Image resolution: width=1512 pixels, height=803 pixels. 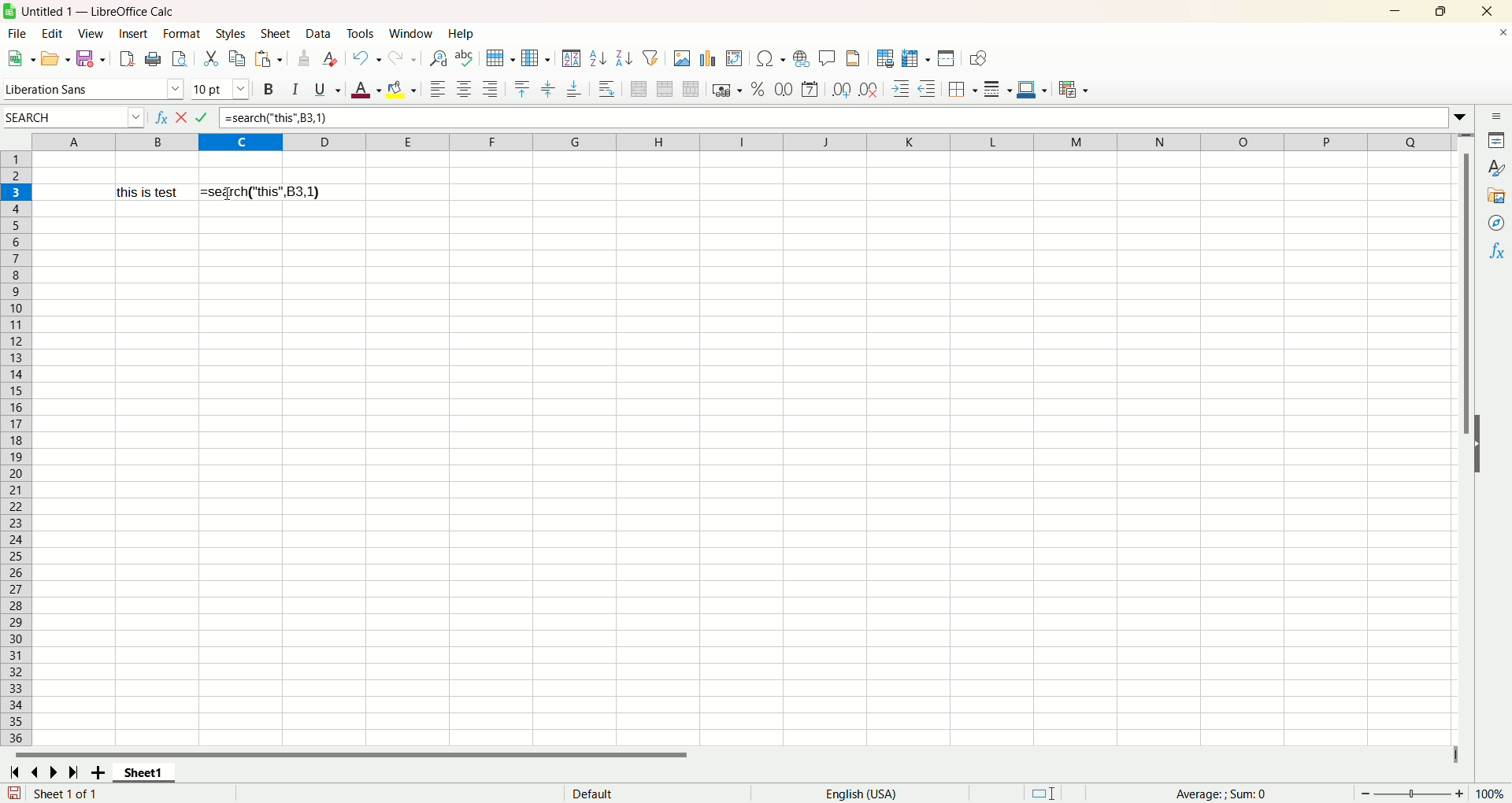 What do you see at coordinates (413, 33) in the screenshot?
I see `window` at bounding box center [413, 33].